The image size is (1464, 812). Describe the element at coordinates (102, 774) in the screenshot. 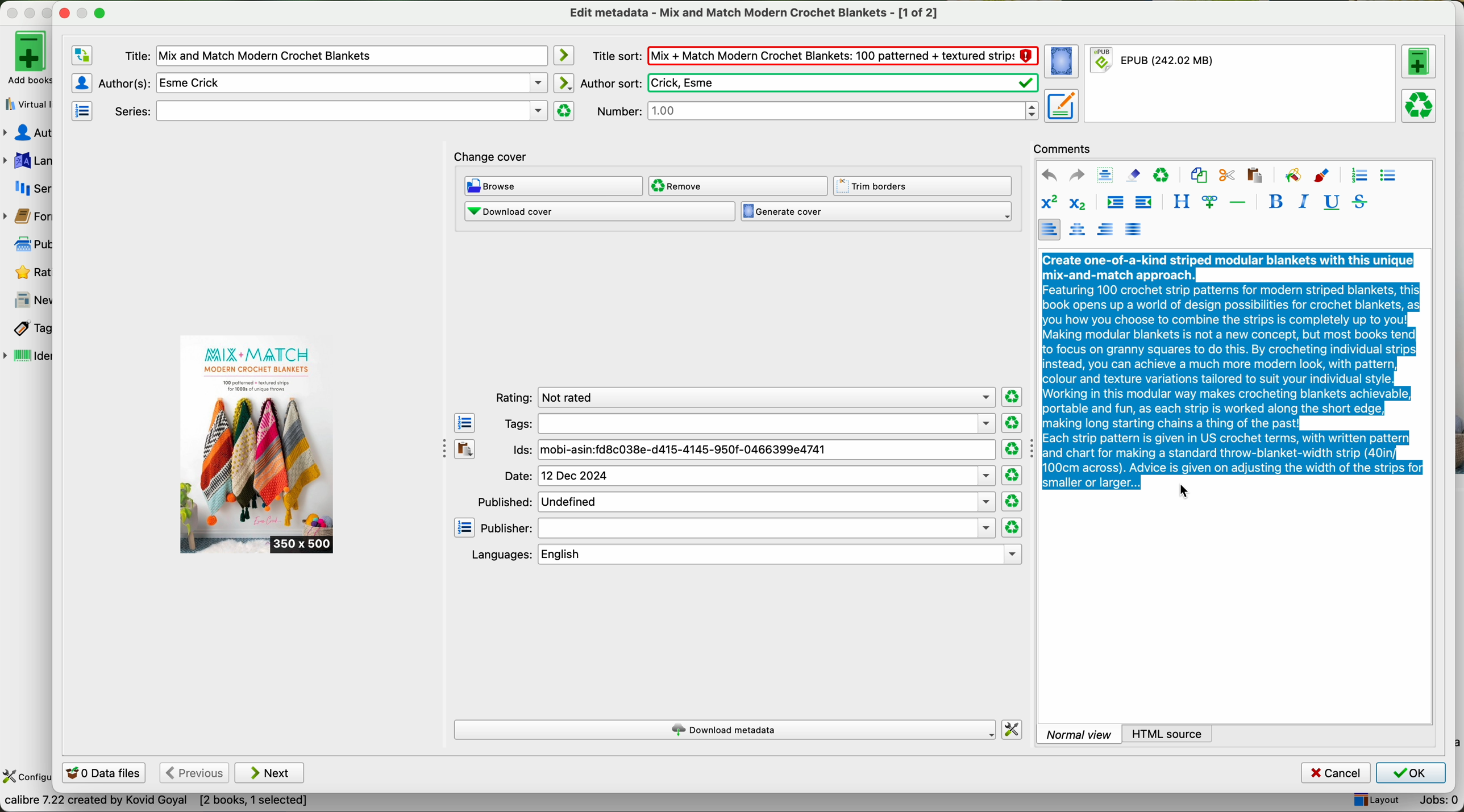

I see `data files` at that location.